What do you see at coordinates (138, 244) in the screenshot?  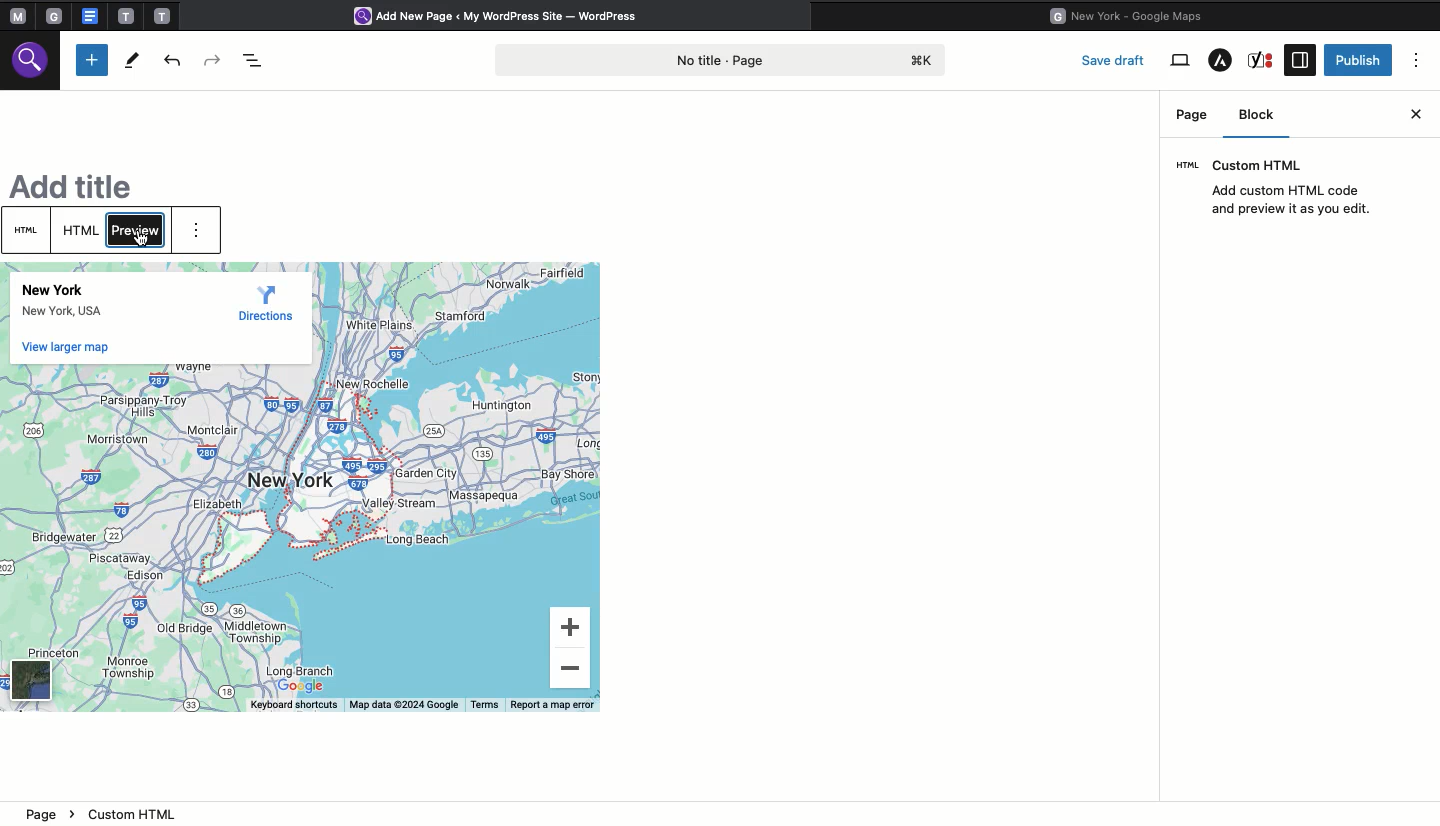 I see `cursor` at bounding box center [138, 244].